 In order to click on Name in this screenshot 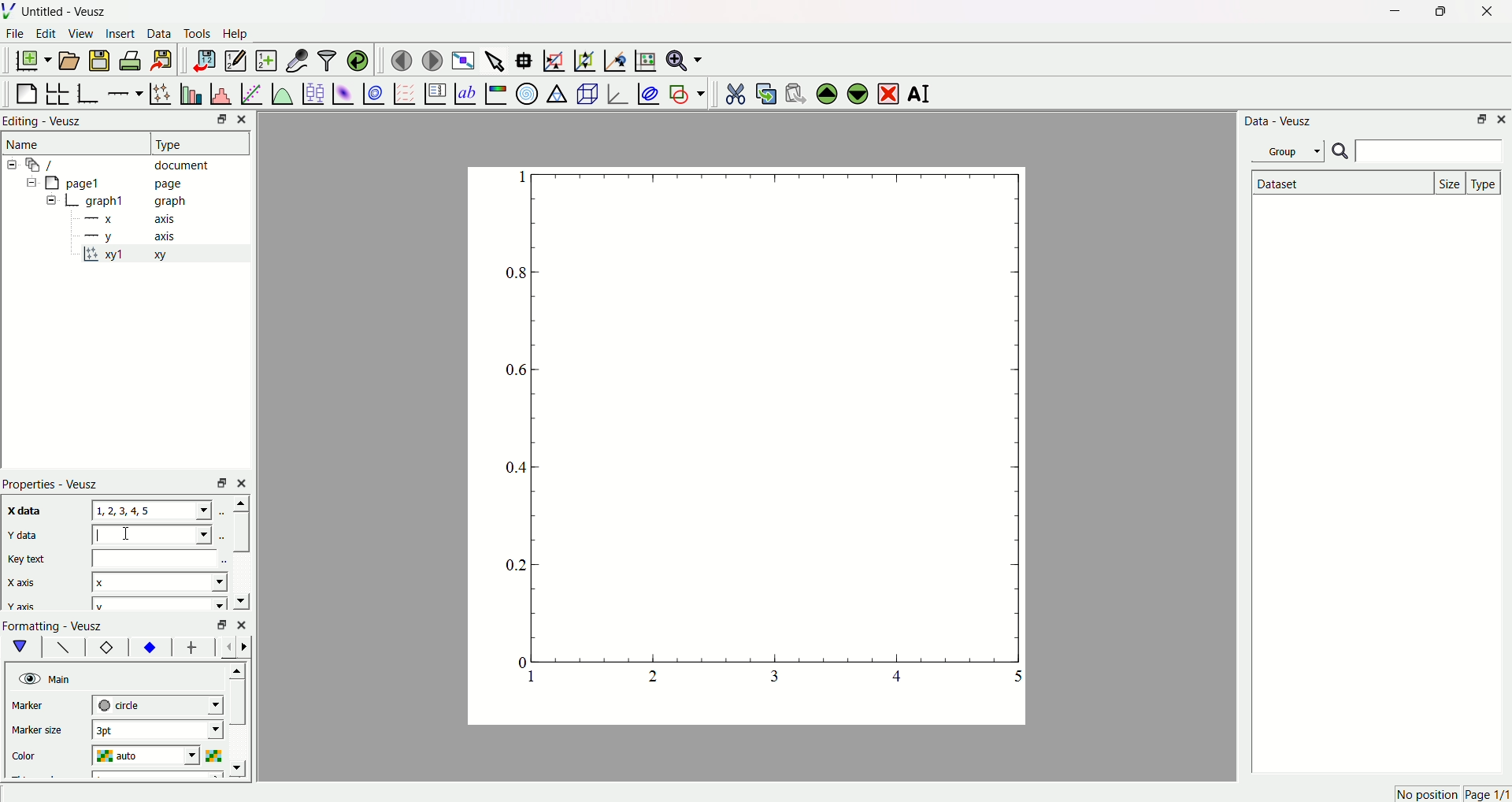, I will do `click(26, 144)`.